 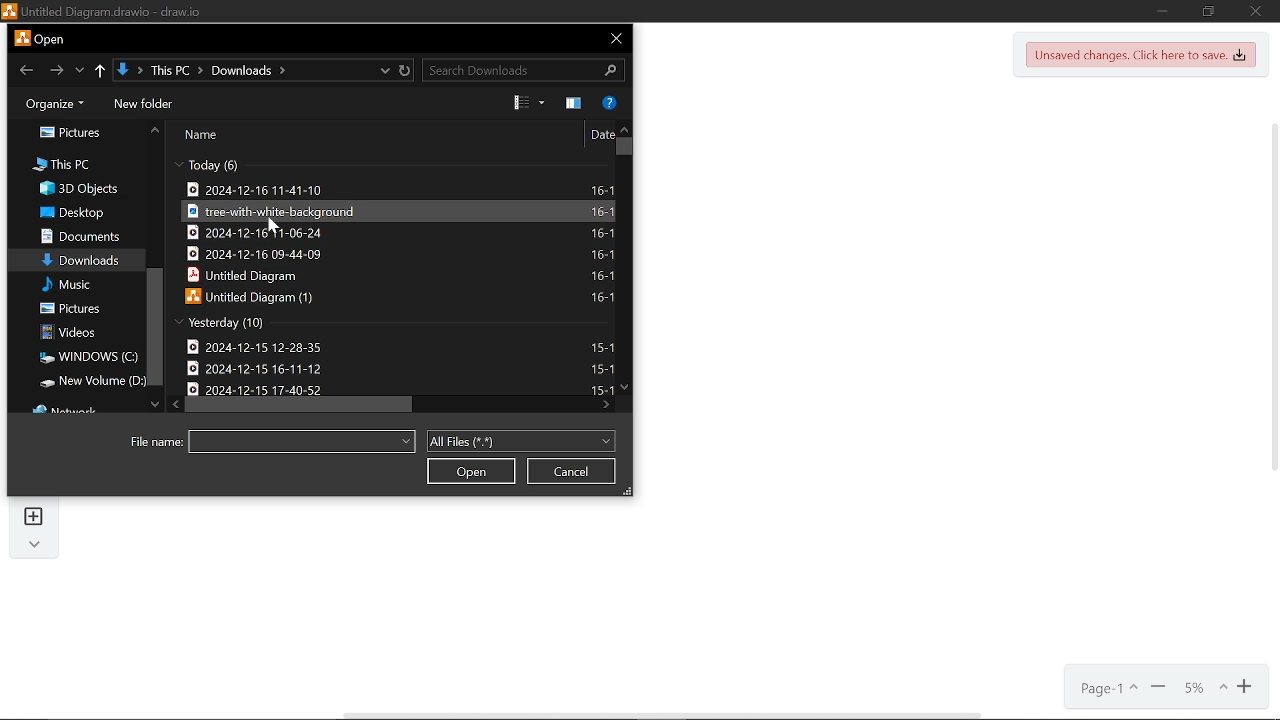 What do you see at coordinates (1272, 295) in the screenshot?
I see `vertical scrollbar` at bounding box center [1272, 295].